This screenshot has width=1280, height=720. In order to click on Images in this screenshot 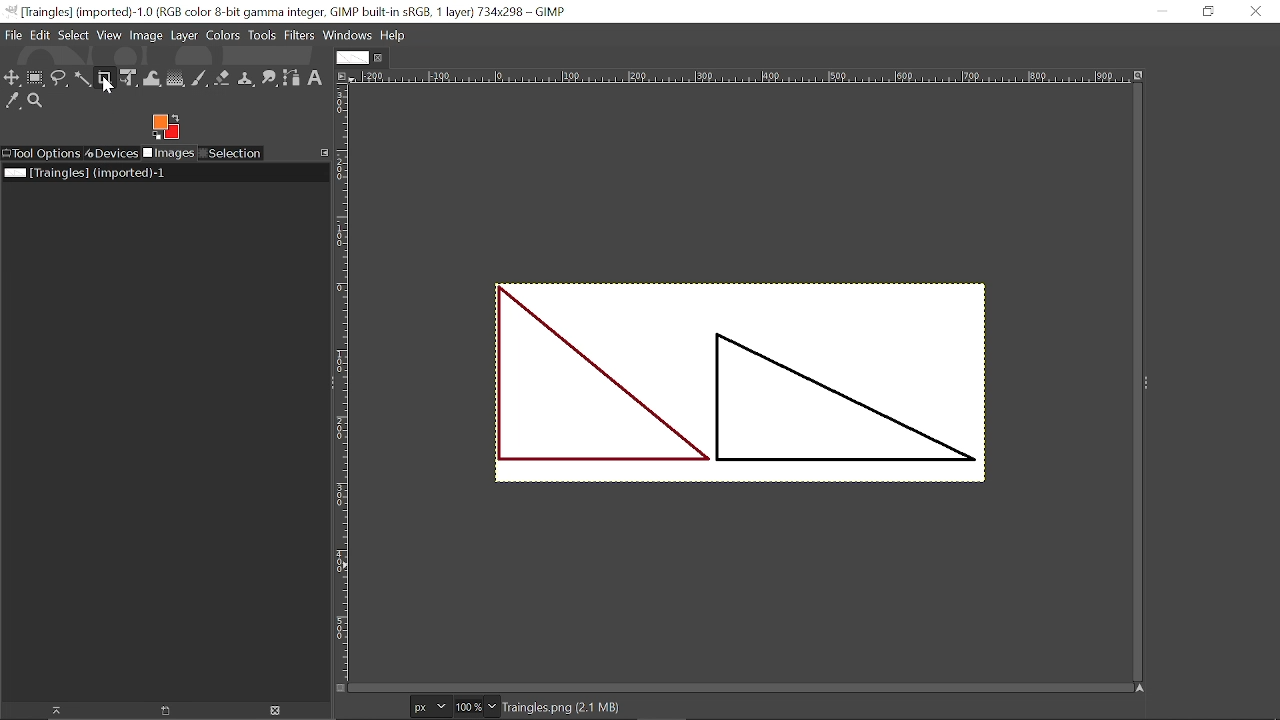, I will do `click(168, 153)`.